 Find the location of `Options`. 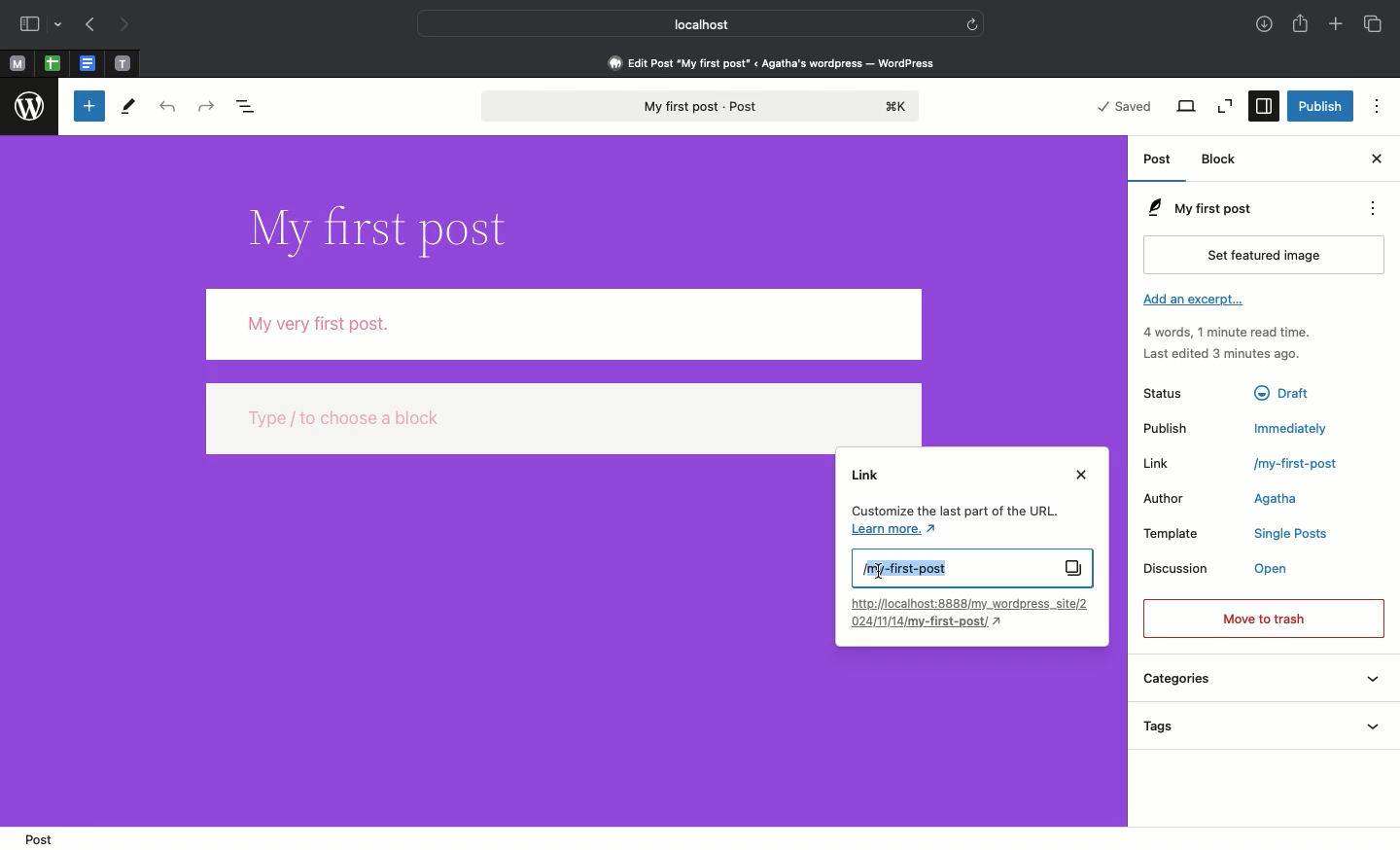

Options is located at coordinates (1379, 105).